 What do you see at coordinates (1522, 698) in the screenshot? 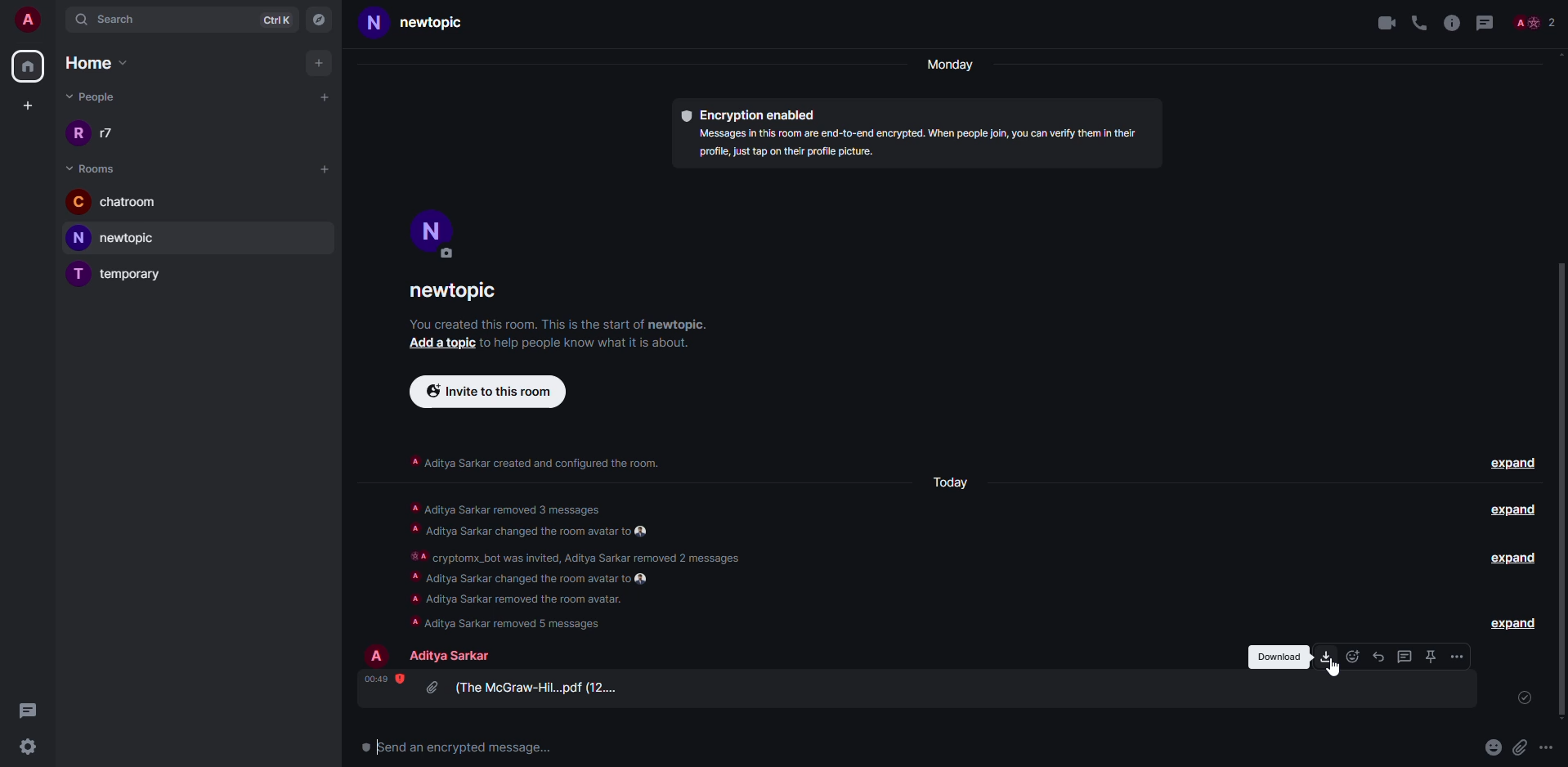
I see `sent` at bounding box center [1522, 698].